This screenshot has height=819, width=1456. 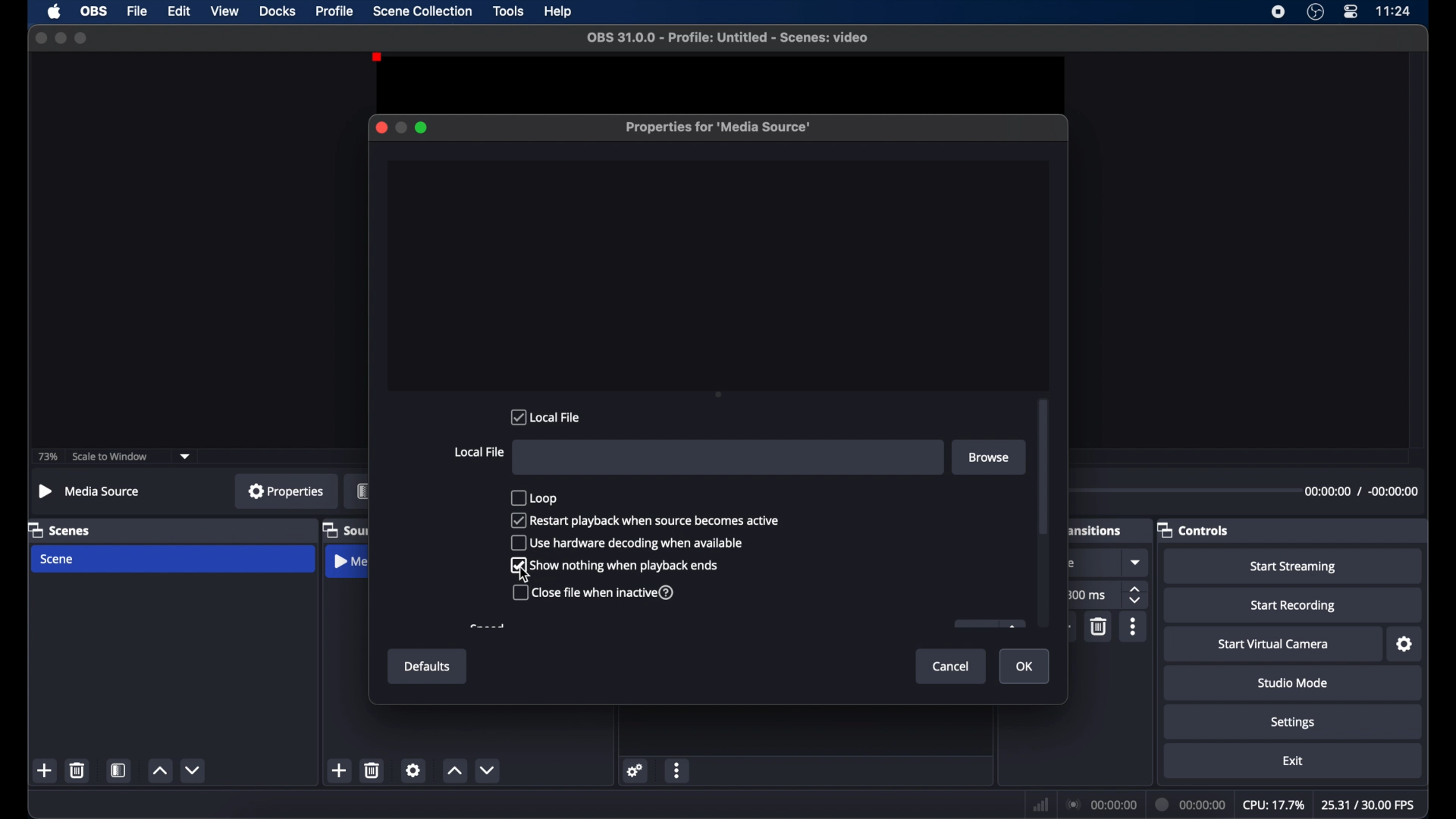 What do you see at coordinates (60, 38) in the screenshot?
I see `minimize` at bounding box center [60, 38].